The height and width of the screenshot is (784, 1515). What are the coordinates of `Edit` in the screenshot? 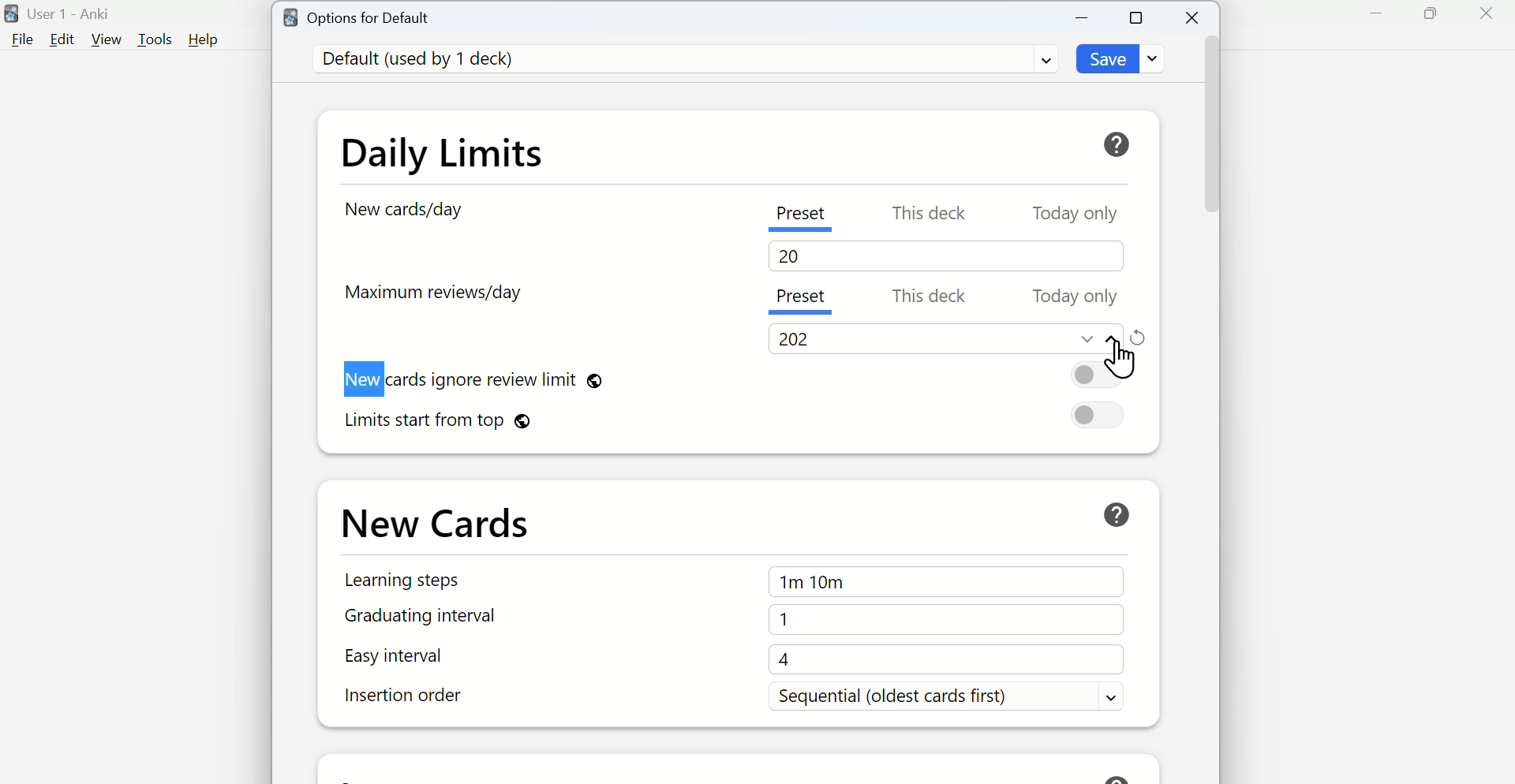 It's located at (62, 39).